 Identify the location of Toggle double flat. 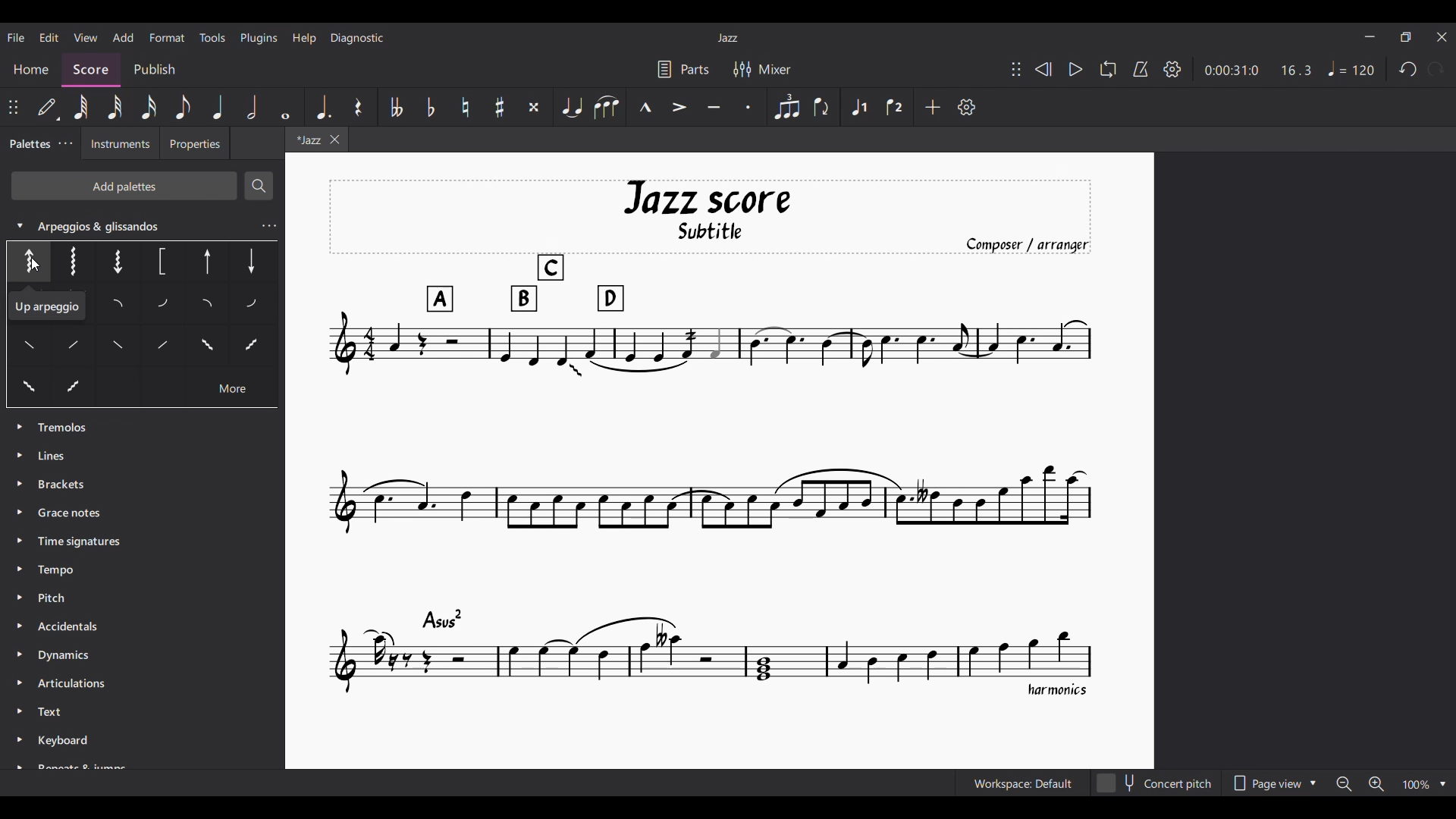
(395, 108).